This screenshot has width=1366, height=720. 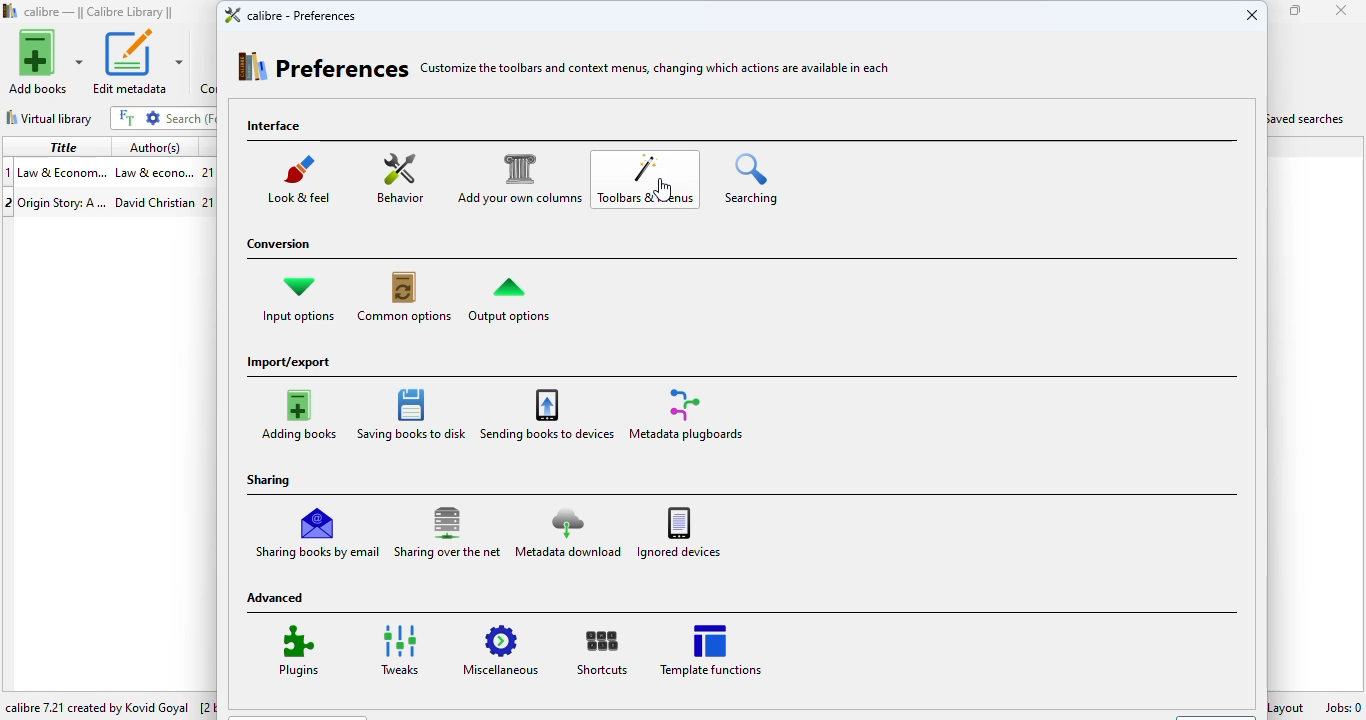 What do you see at coordinates (289, 14) in the screenshot?
I see `calibre - preferences` at bounding box center [289, 14].